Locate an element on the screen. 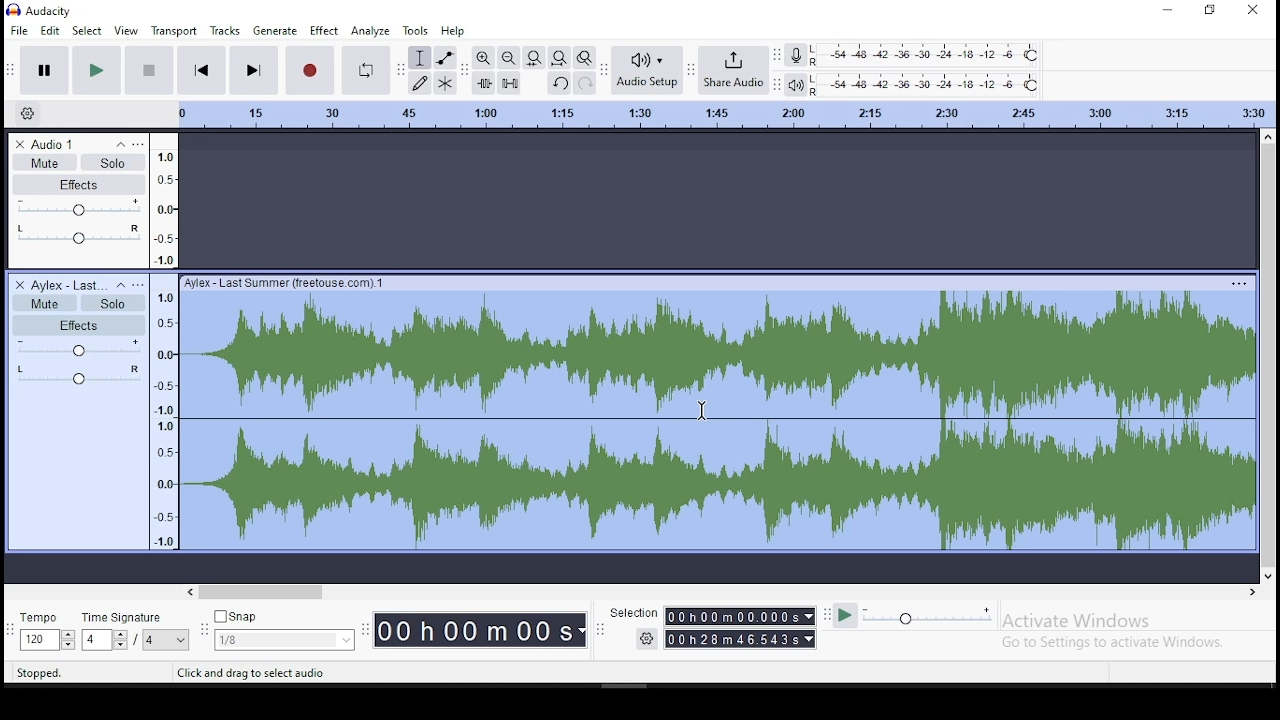 This screenshot has height=720, width=1280. effects is located at coordinates (80, 325).